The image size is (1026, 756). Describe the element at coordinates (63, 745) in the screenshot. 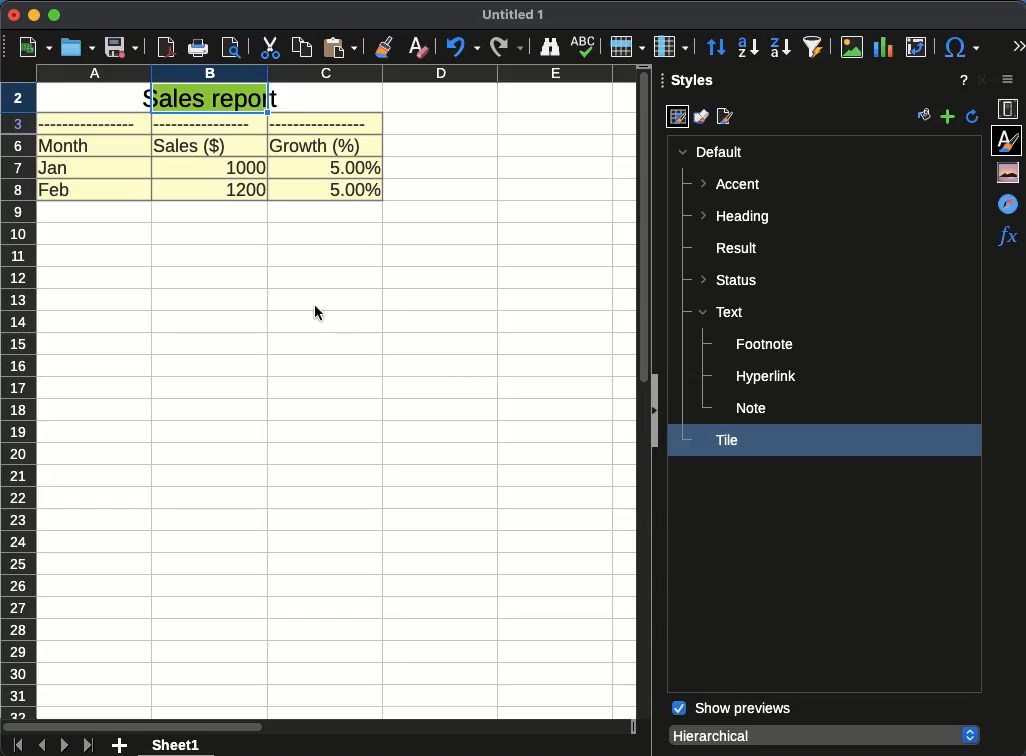

I see `next sheet` at that location.